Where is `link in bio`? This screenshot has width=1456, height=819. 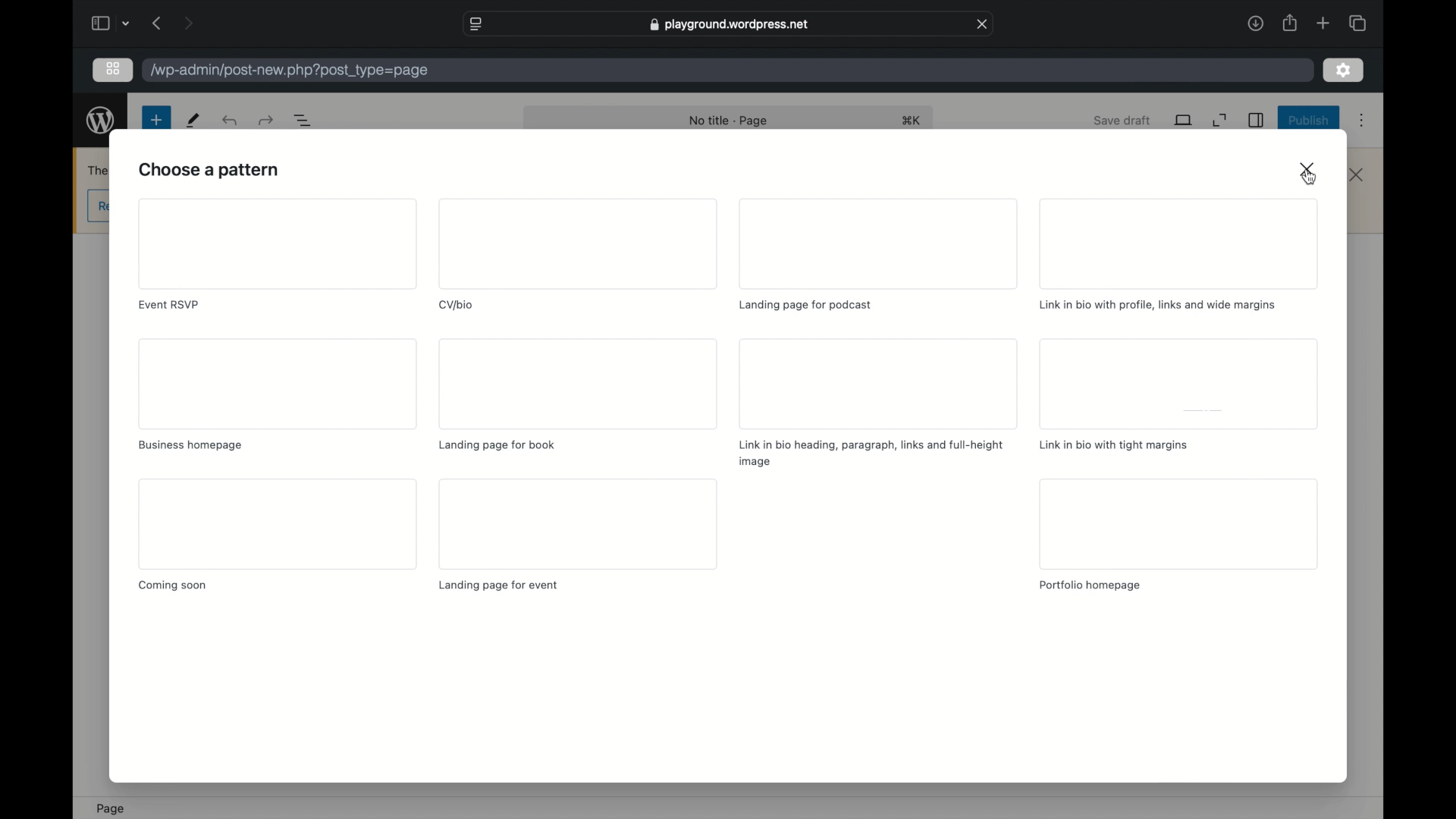
link in bio is located at coordinates (869, 453).